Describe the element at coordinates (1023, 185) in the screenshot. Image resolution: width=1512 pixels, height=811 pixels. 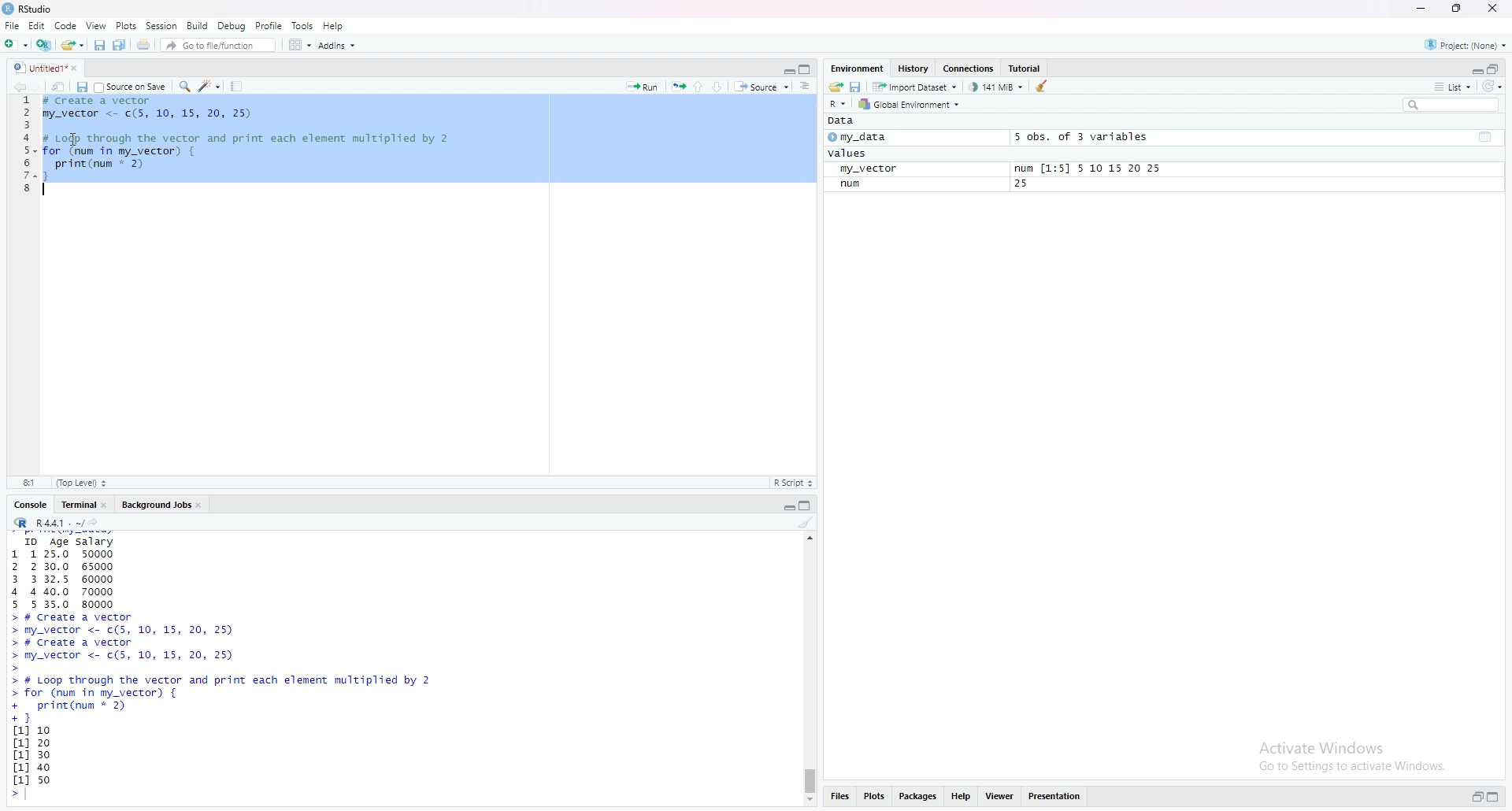
I see `25` at that location.